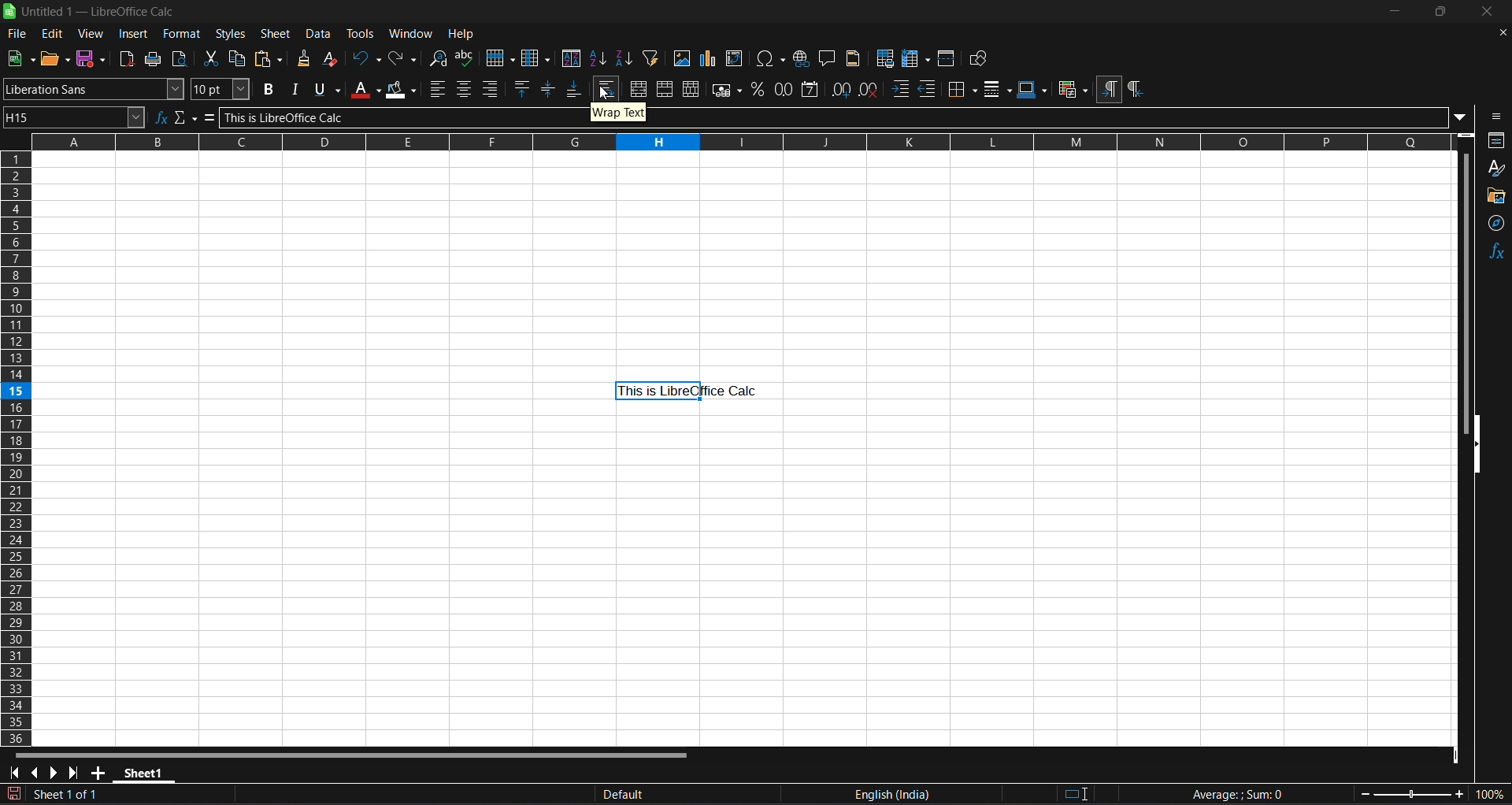 This screenshot has height=805, width=1512. Describe the element at coordinates (91, 33) in the screenshot. I see `view` at that location.